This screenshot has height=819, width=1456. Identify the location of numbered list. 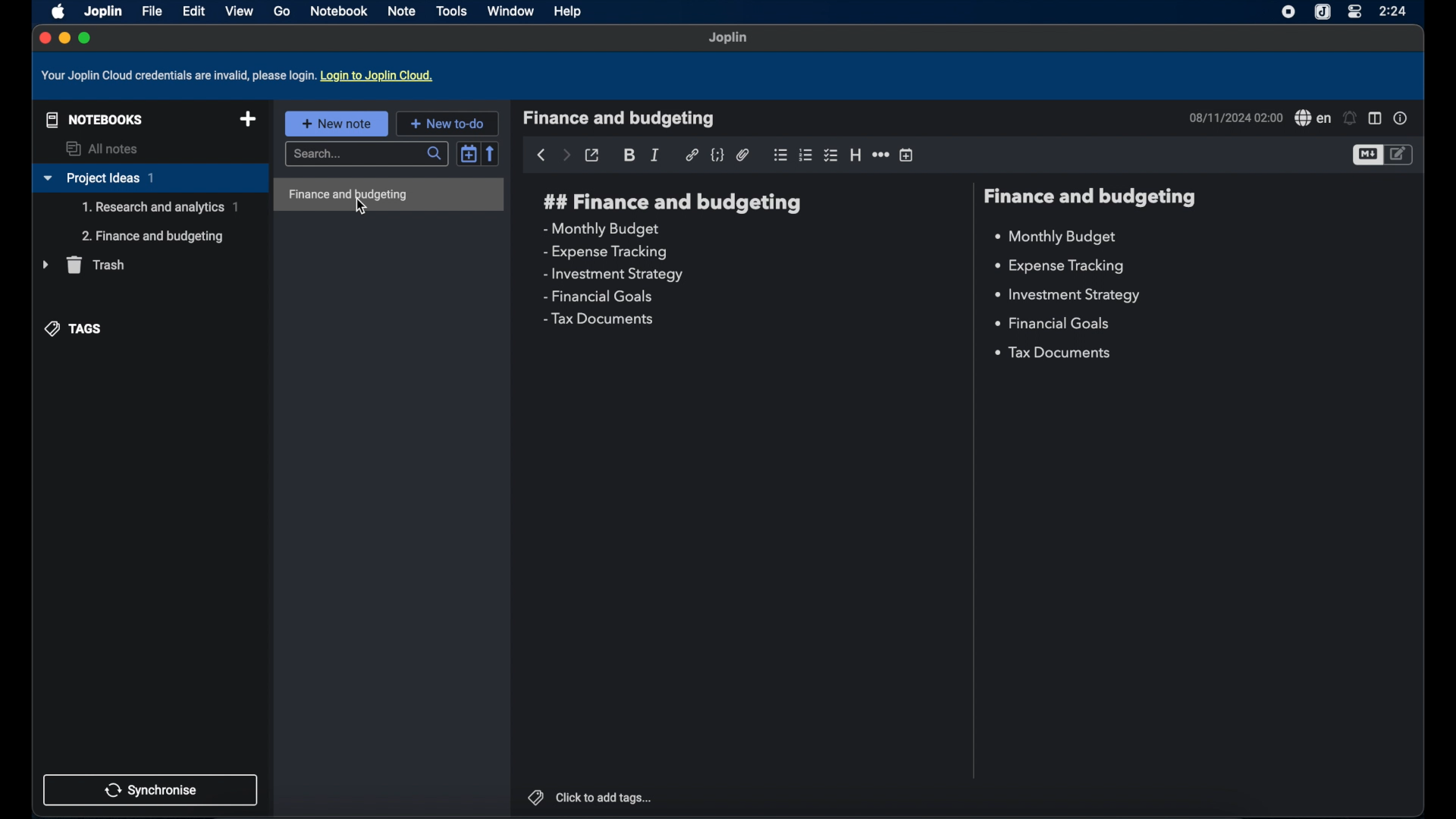
(806, 155).